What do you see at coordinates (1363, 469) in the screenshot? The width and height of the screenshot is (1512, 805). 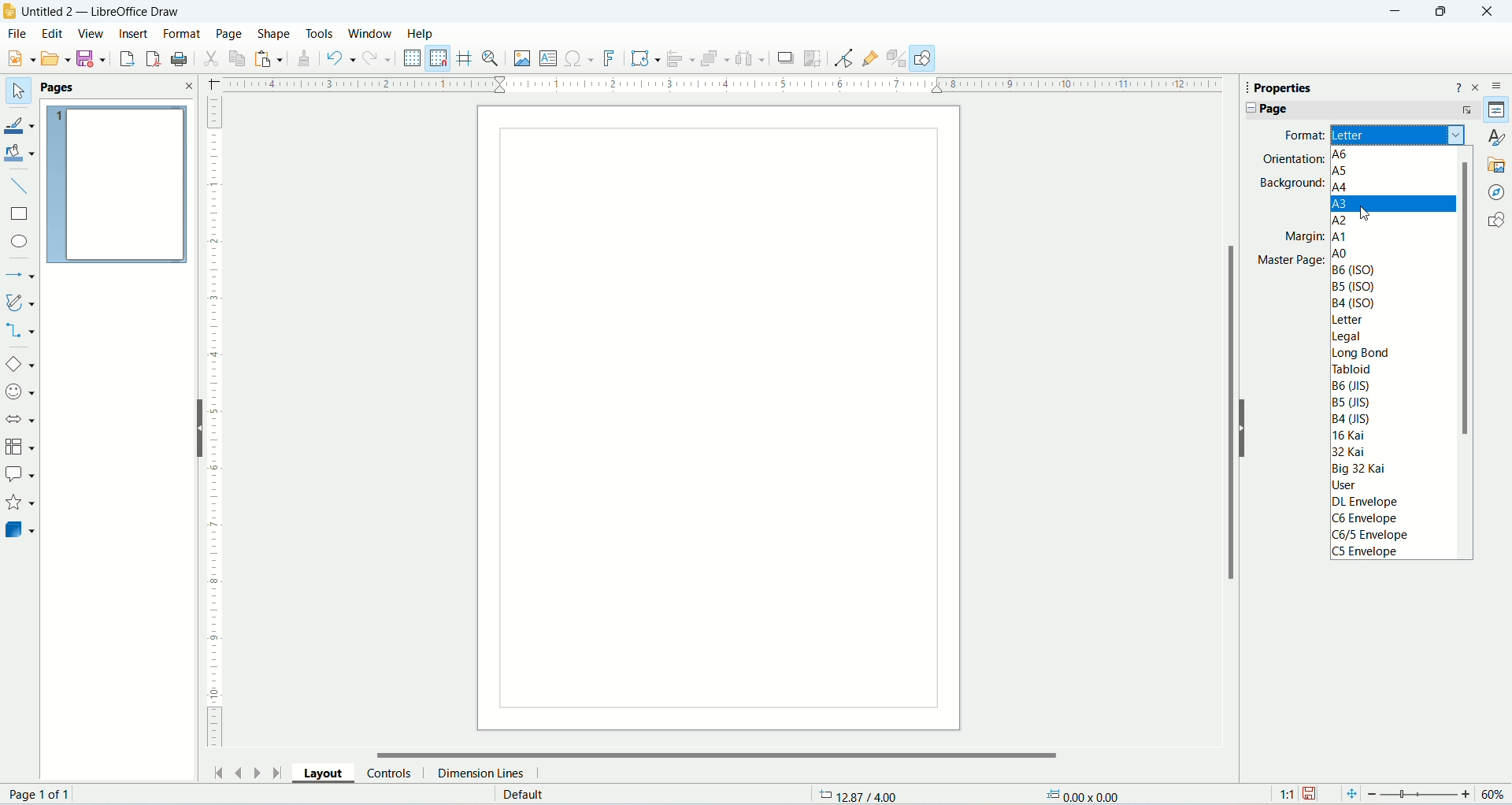 I see `big 32` at bounding box center [1363, 469].